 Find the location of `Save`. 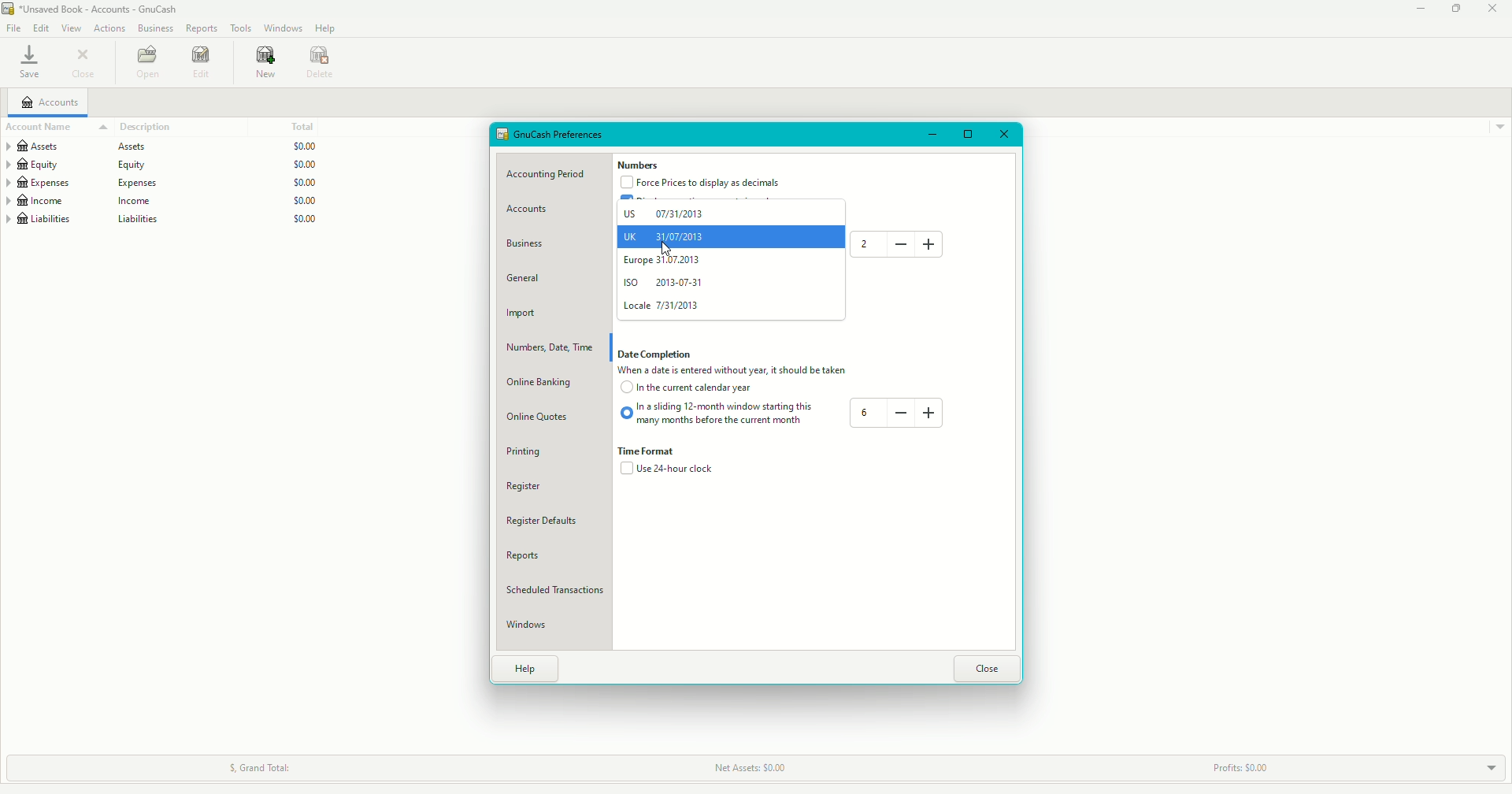

Save is located at coordinates (28, 65).